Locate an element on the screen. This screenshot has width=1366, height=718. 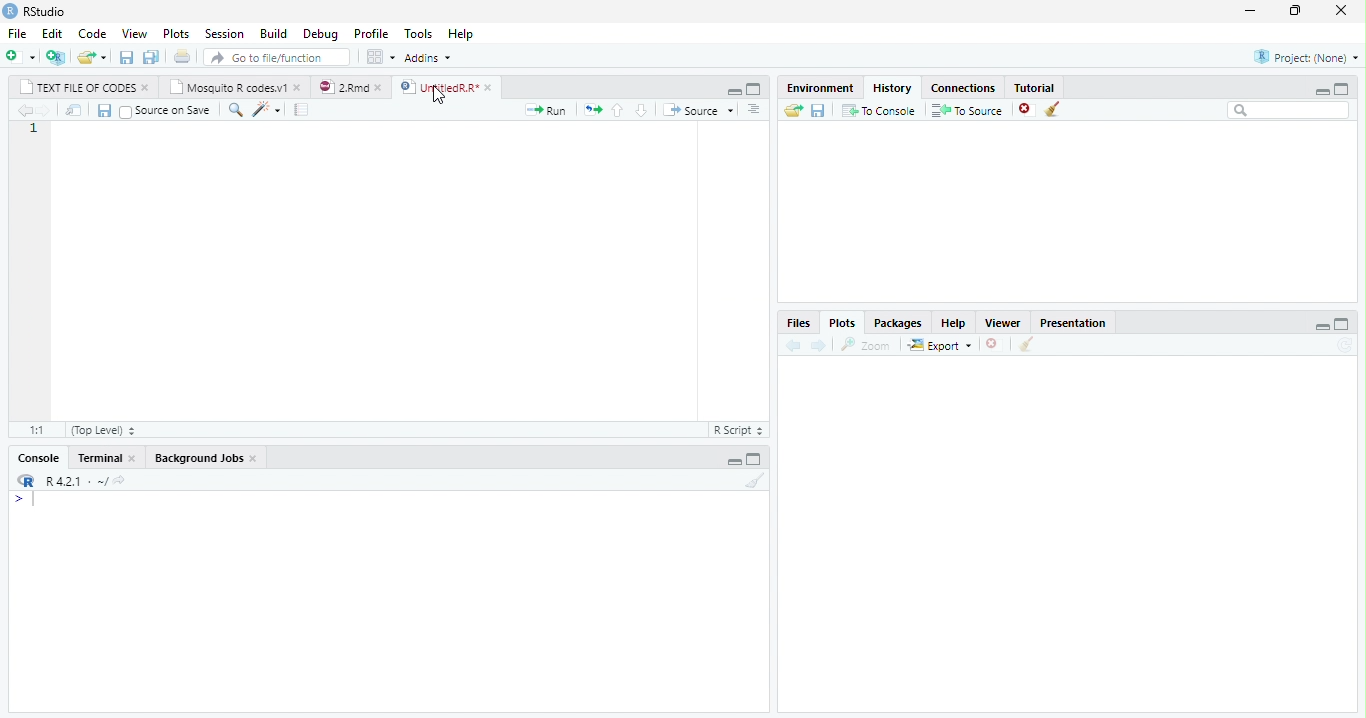
connections is located at coordinates (962, 88).